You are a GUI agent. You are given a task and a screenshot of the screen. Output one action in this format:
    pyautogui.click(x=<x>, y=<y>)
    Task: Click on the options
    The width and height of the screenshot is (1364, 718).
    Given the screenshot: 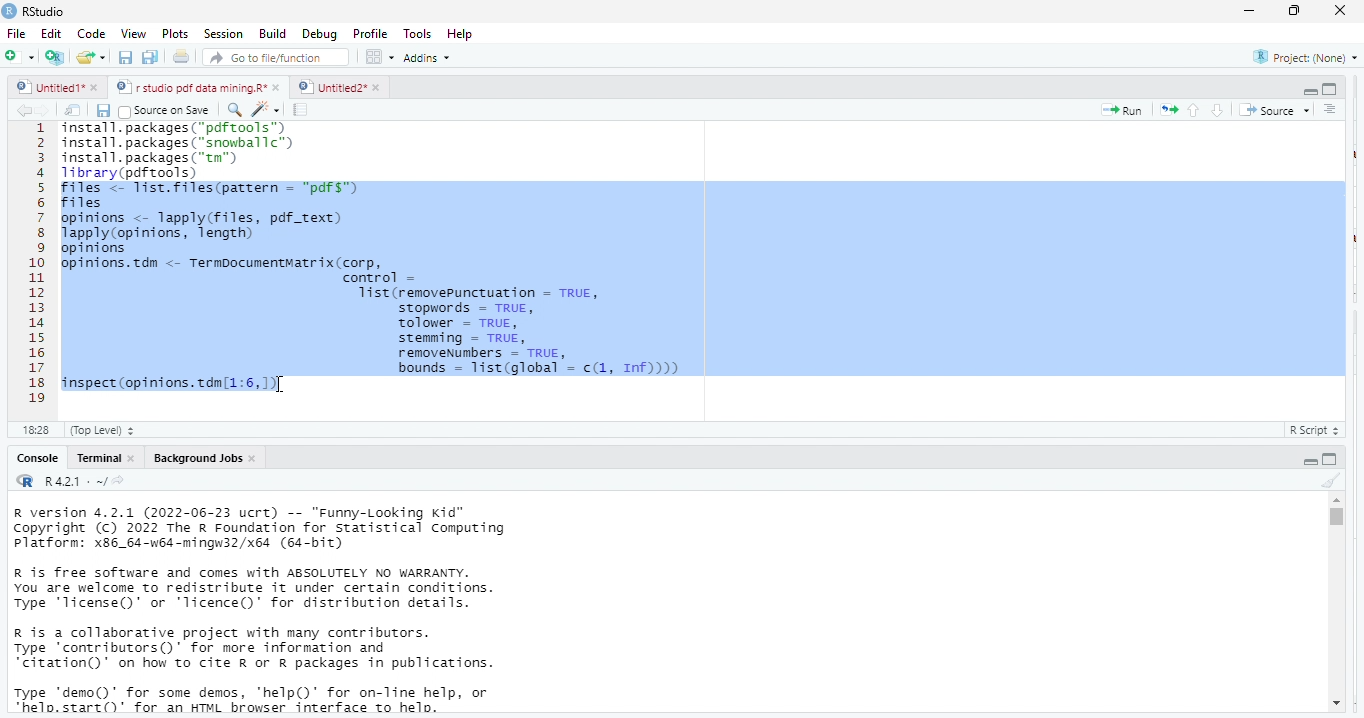 What is the action you would take?
    pyautogui.click(x=381, y=56)
    